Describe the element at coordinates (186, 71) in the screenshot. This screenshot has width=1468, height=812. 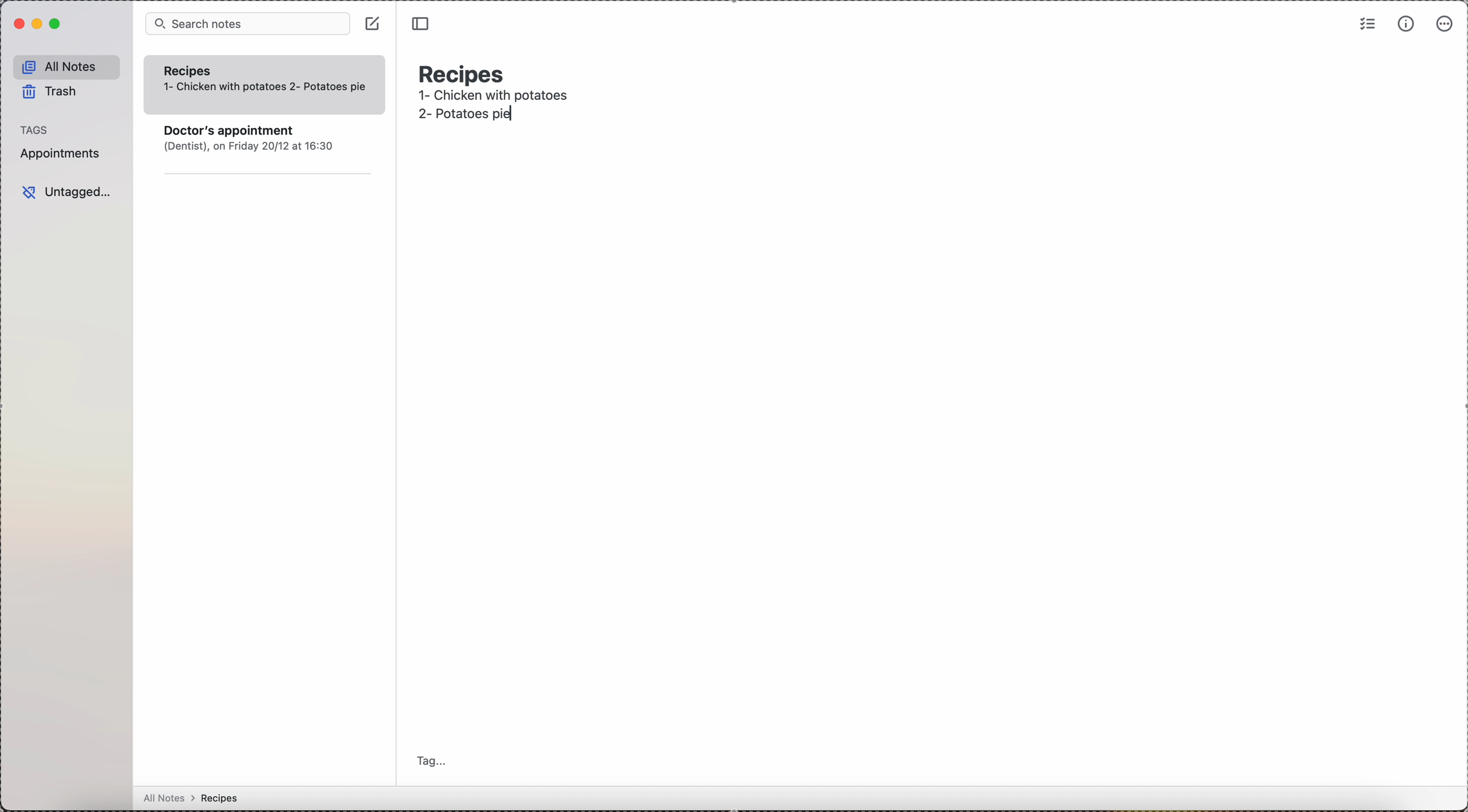
I see `Recipes` at that location.